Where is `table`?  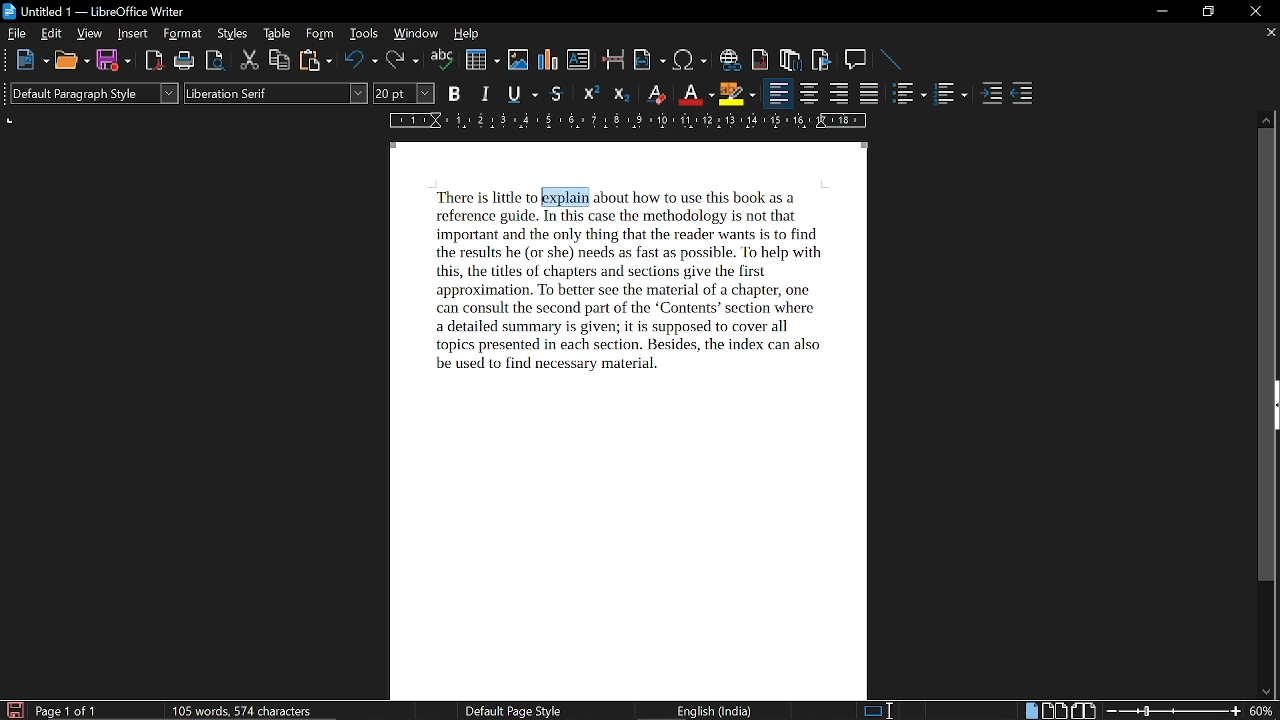 table is located at coordinates (276, 34).